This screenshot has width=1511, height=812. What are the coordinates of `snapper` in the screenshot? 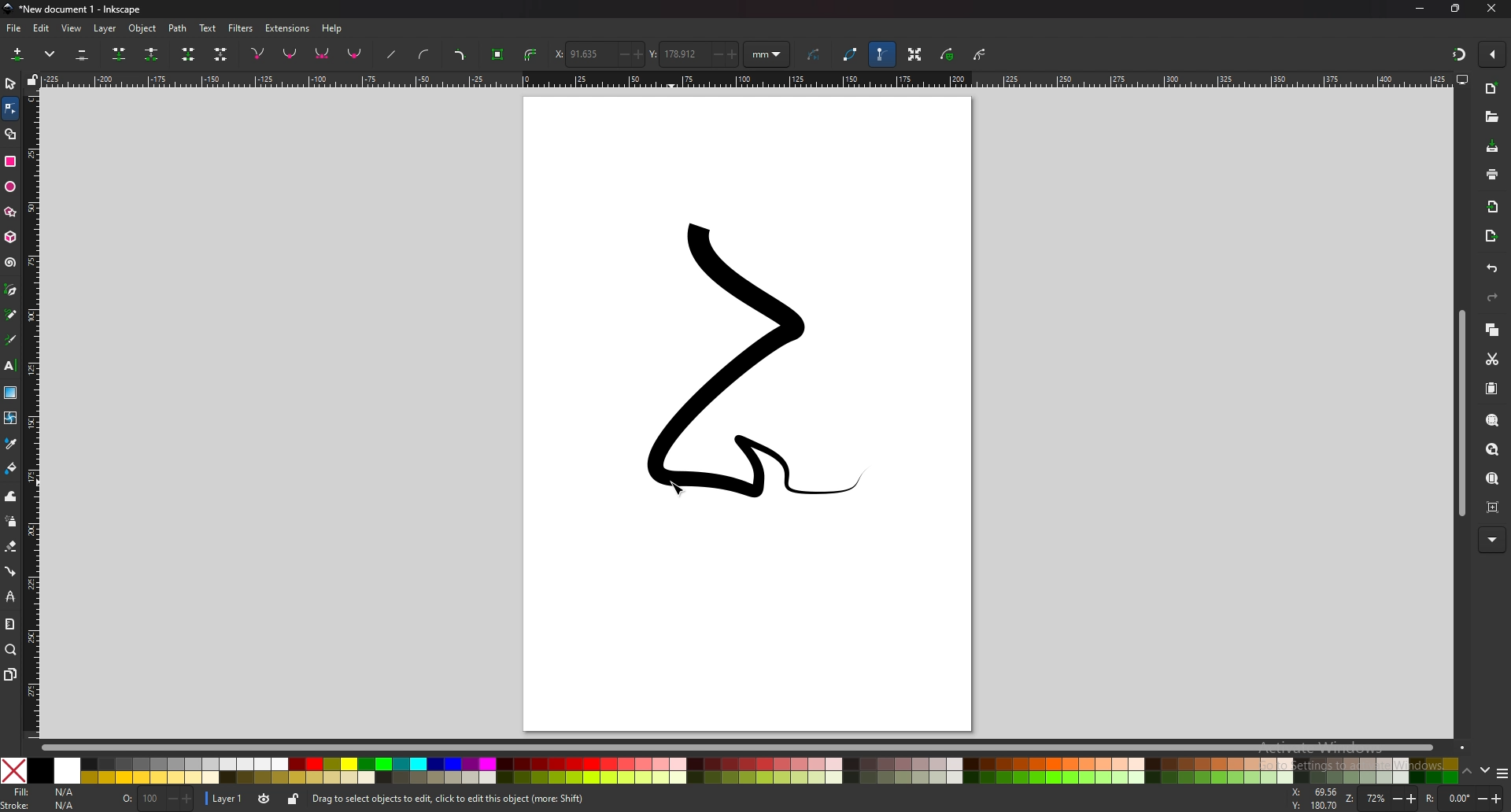 It's located at (1459, 54).